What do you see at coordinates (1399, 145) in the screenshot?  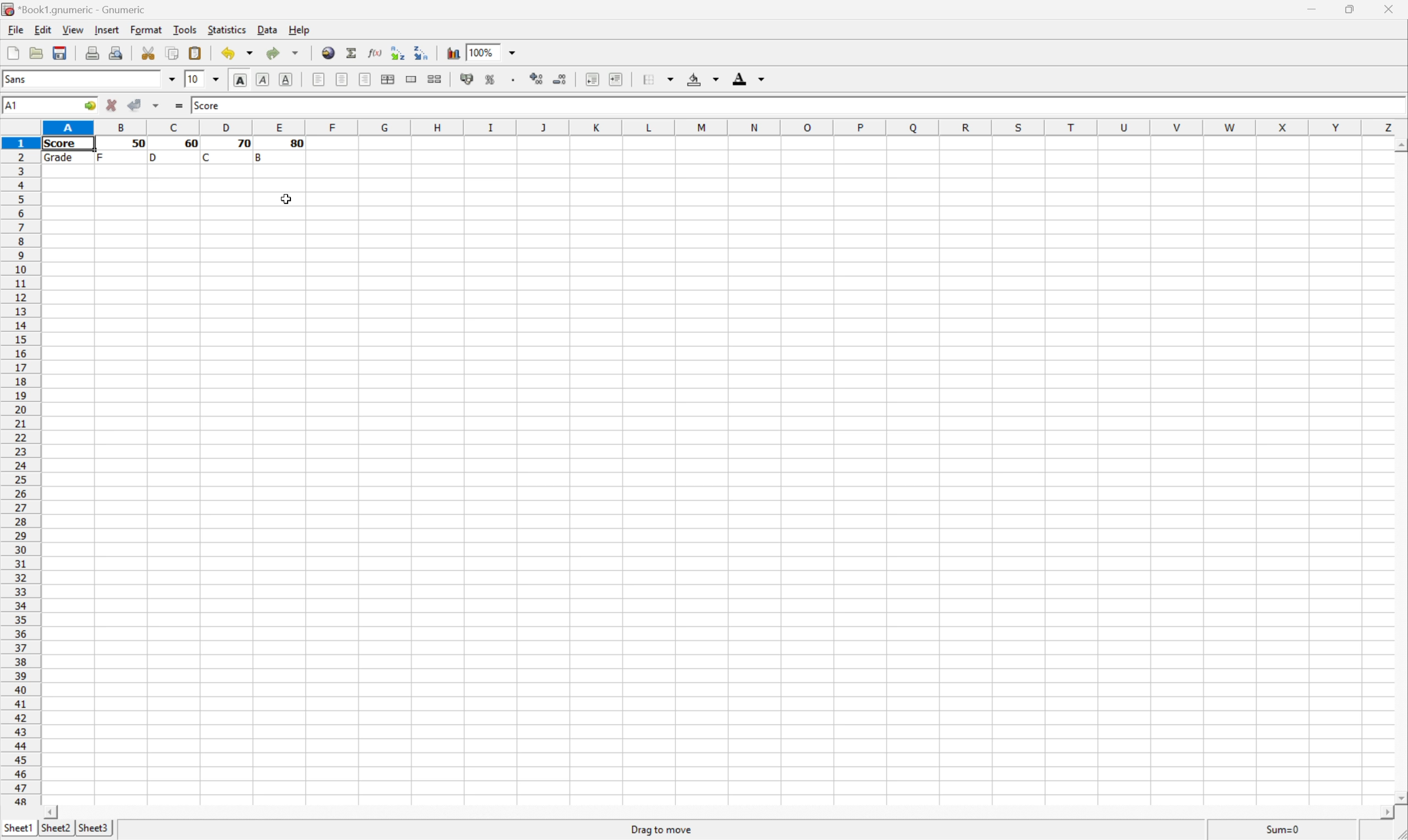 I see `Scroll Up` at bounding box center [1399, 145].